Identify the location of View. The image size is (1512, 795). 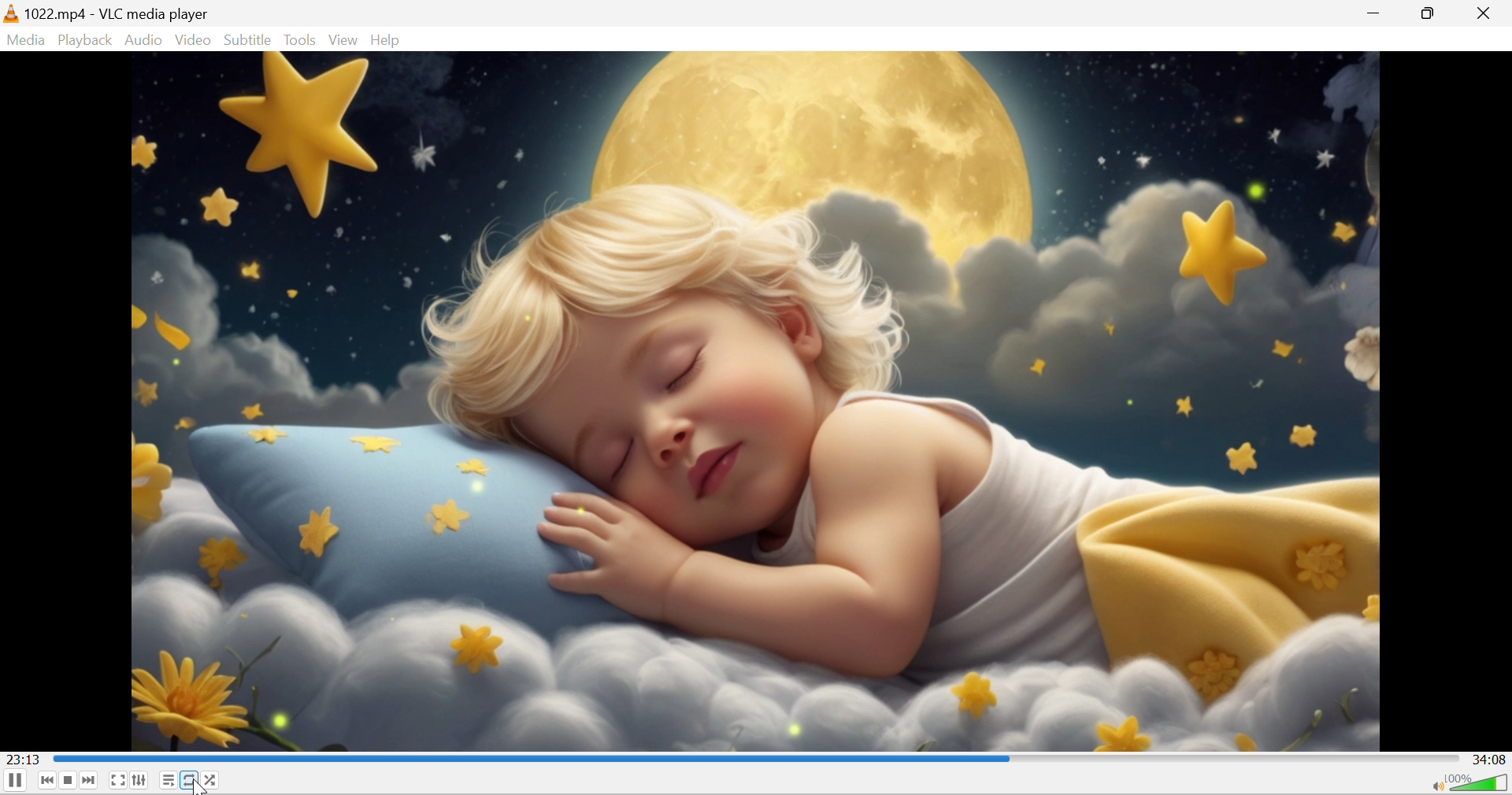
(345, 40).